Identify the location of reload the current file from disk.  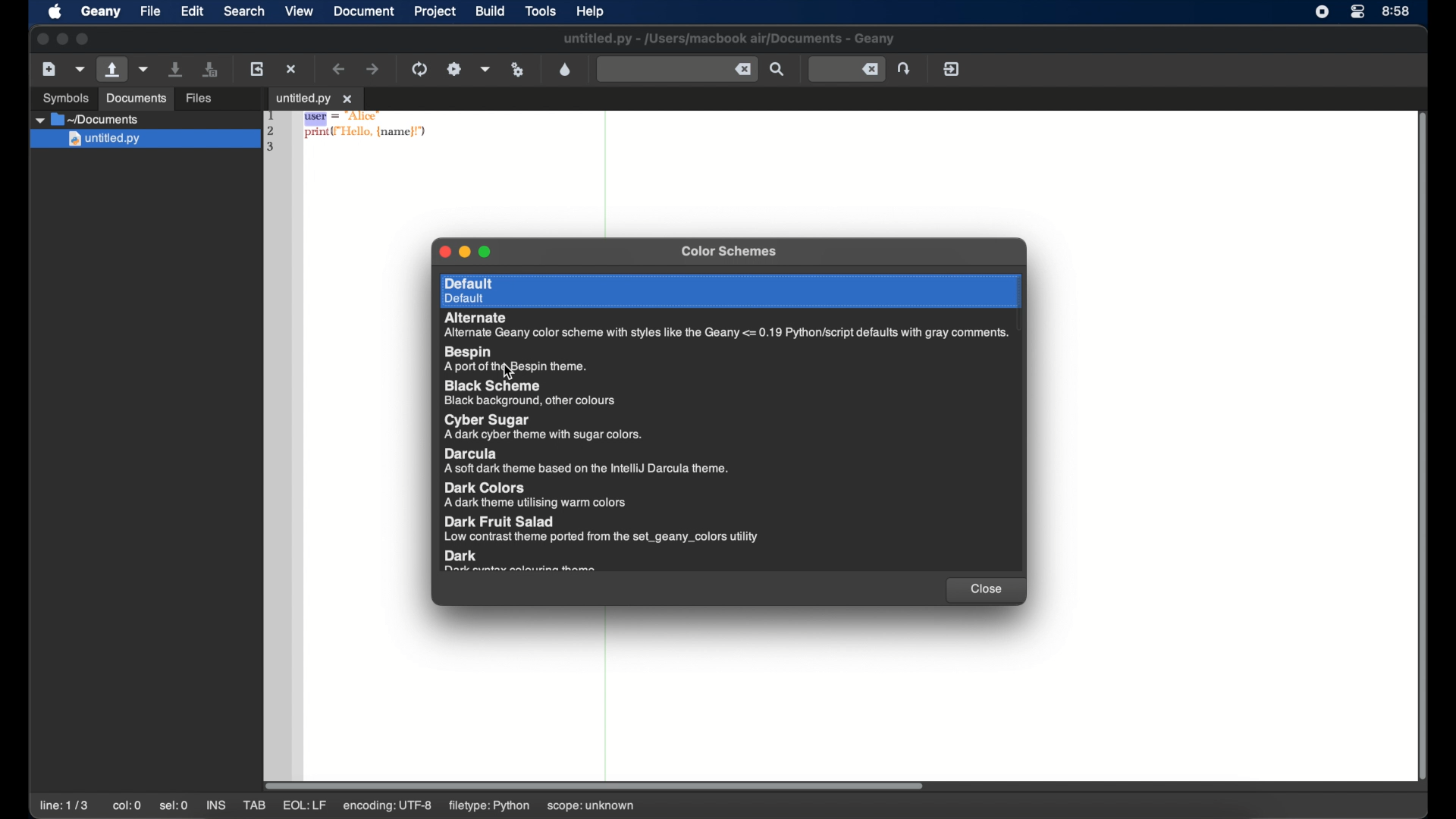
(258, 69).